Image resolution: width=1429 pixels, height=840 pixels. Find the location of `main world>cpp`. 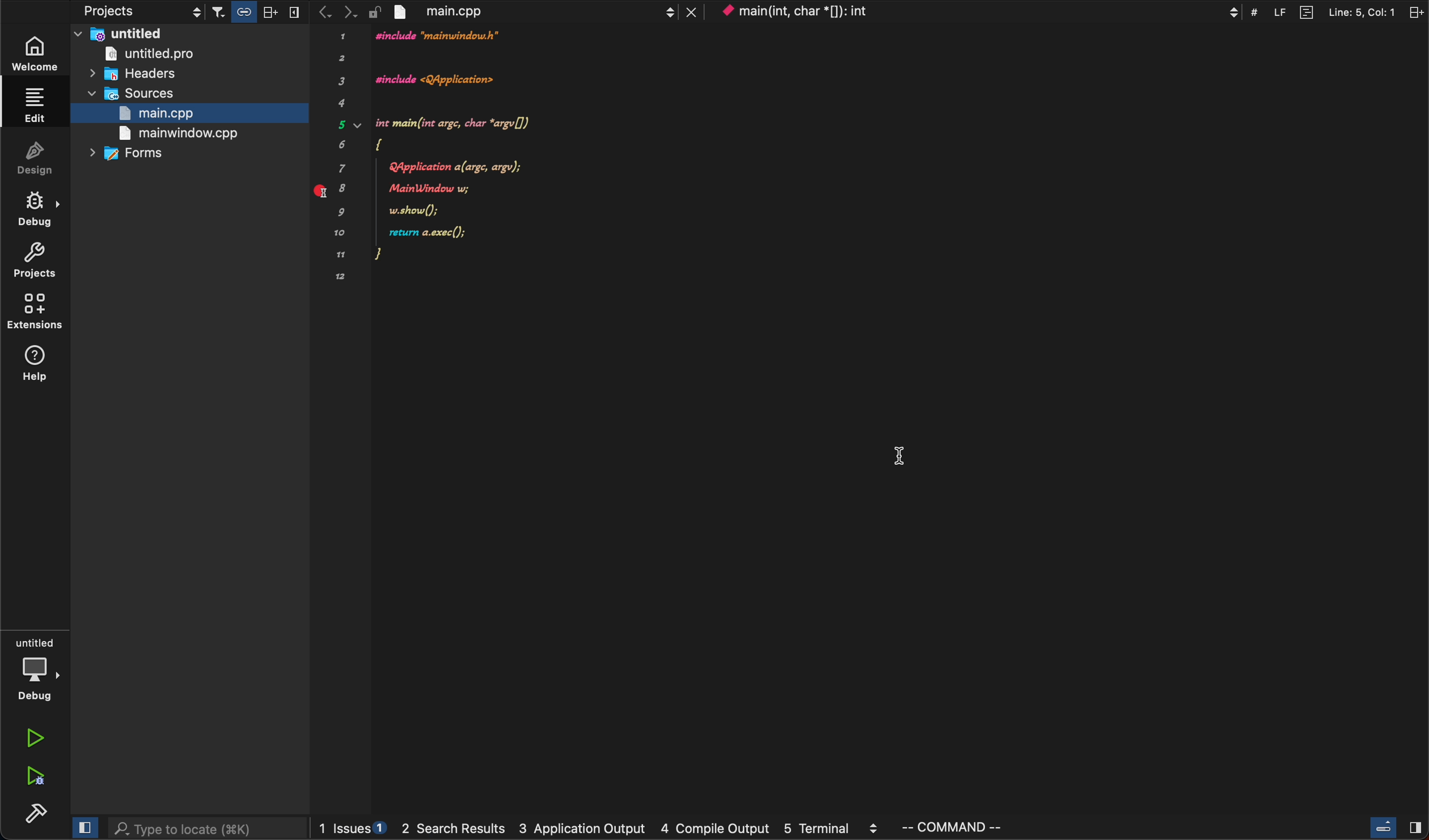

main world>cpp is located at coordinates (176, 134).